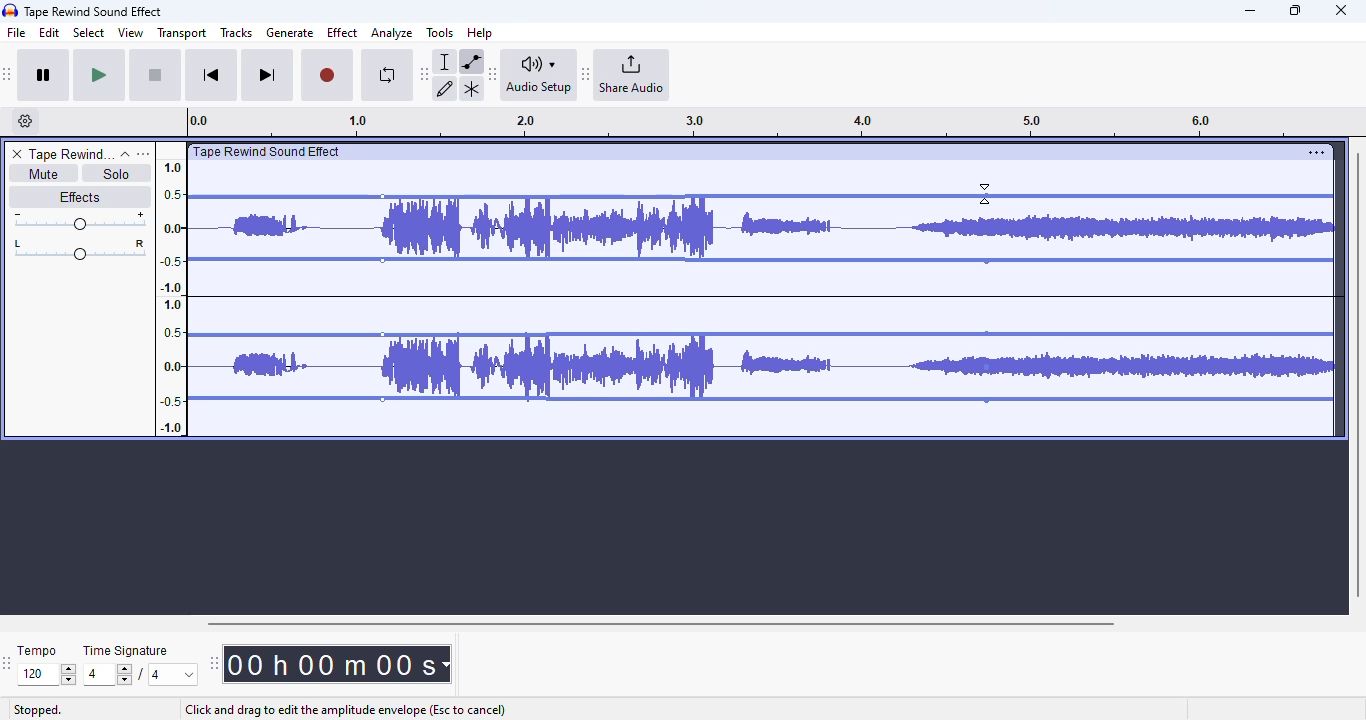 This screenshot has width=1366, height=720. Describe the element at coordinates (447, 61) in the screenshot. I see `selection tool` at that location.